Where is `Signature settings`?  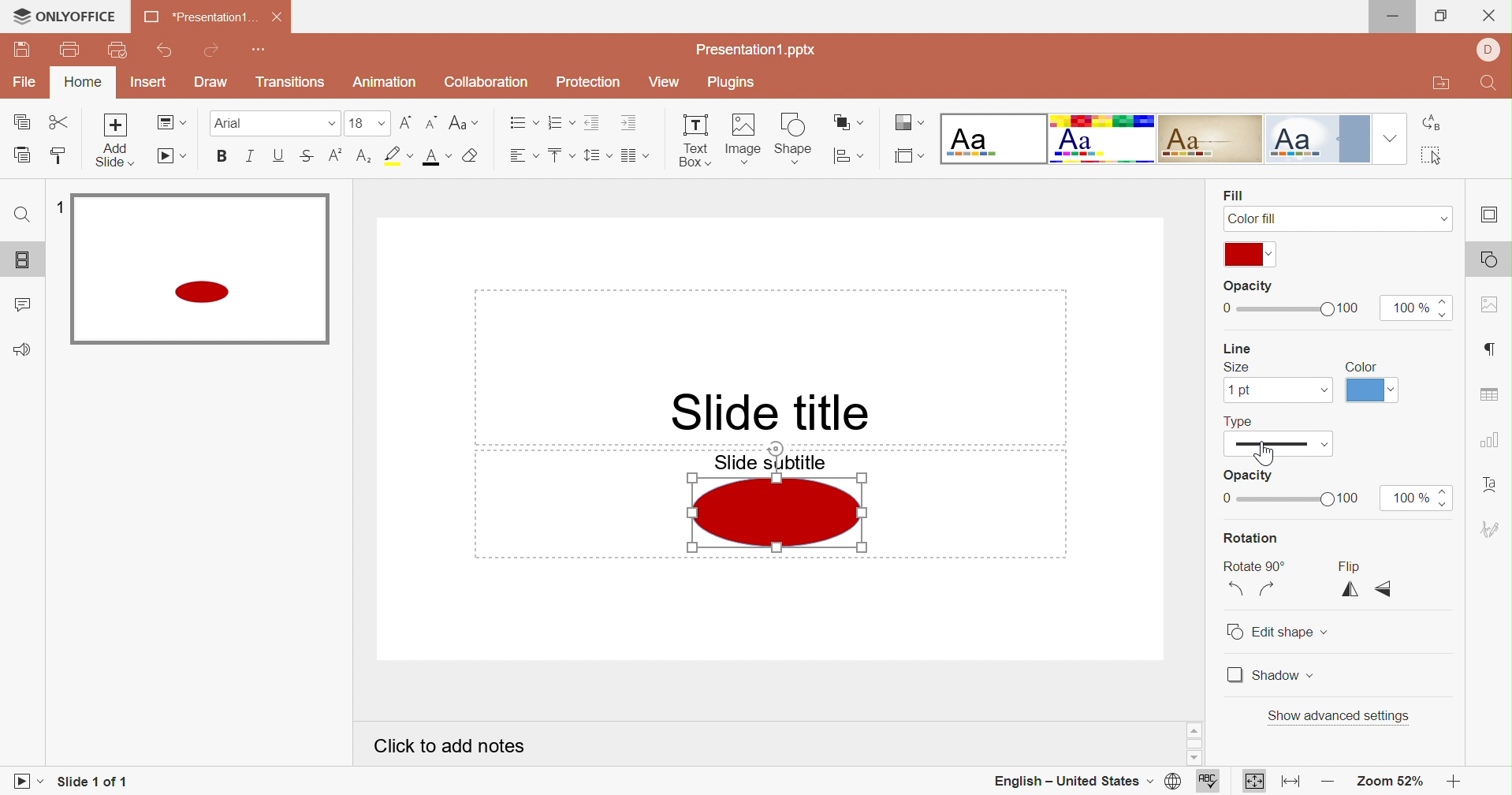 Signature settings is located at coordinates (1490, 530).